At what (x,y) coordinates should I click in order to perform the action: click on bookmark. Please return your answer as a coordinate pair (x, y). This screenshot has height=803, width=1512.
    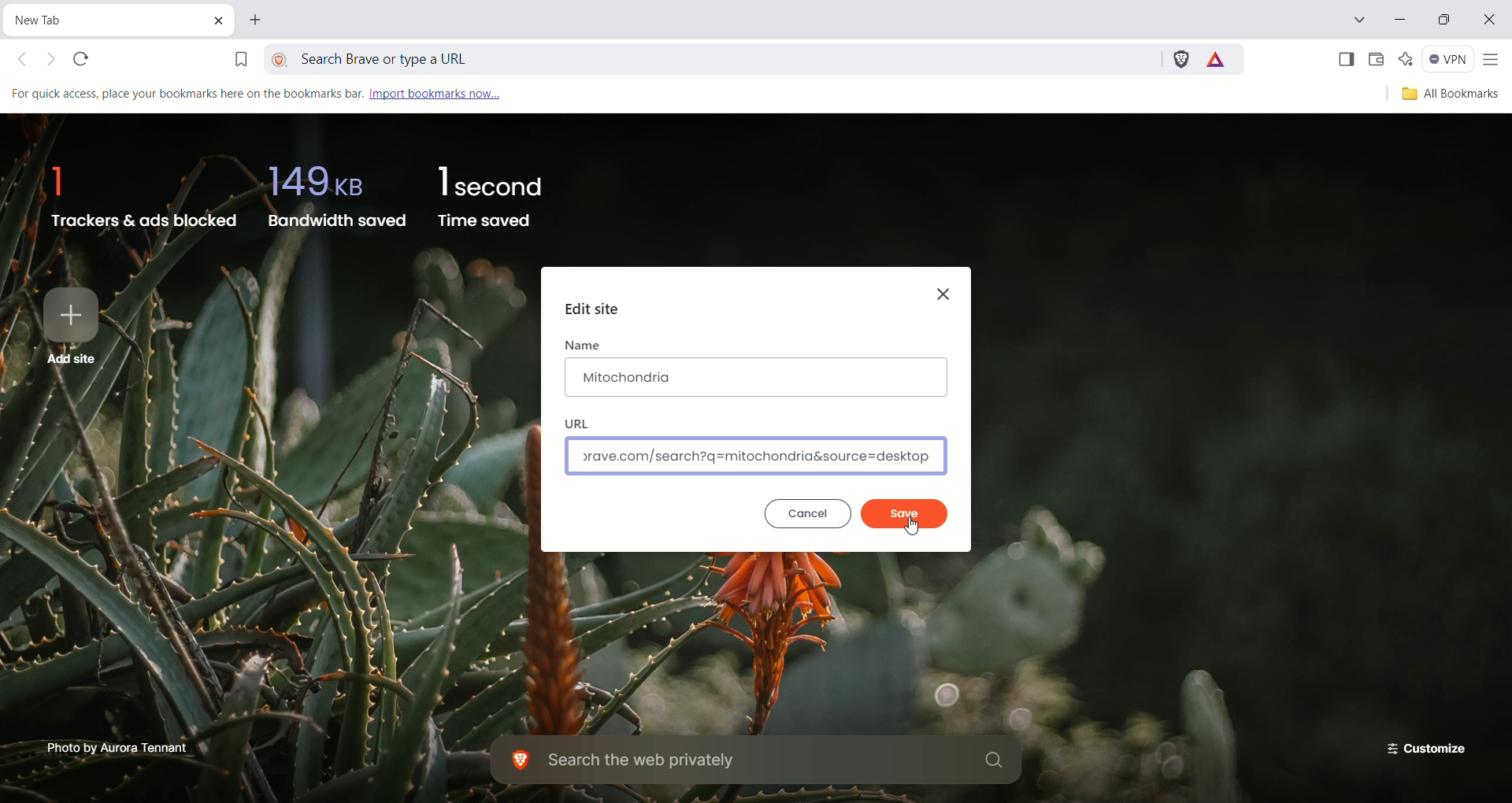
    Looking at the image, I should click on (240, 56).